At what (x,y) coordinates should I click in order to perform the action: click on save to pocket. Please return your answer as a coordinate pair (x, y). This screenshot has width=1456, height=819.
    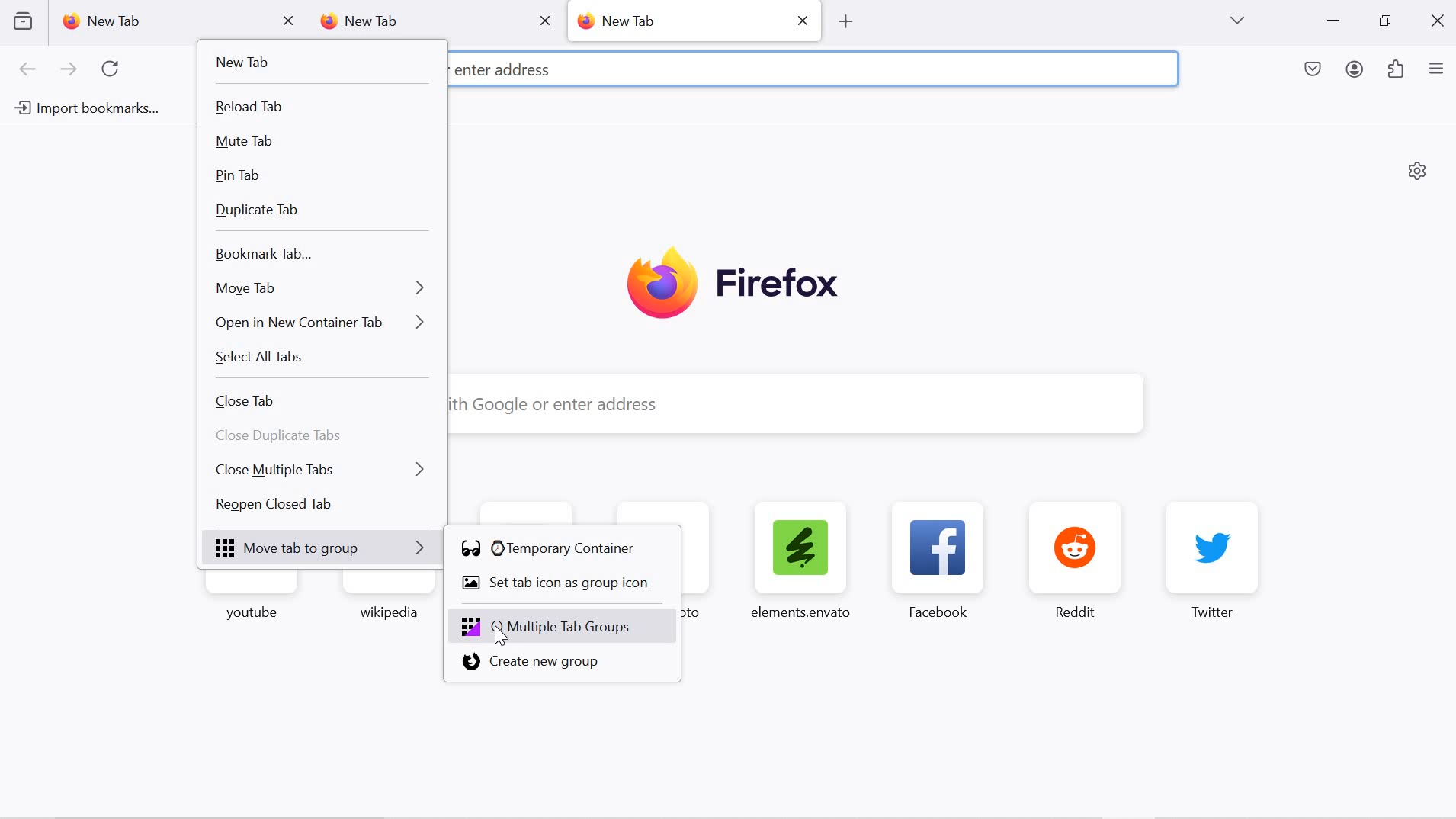
    Looking at the image, I should click on (1314, 71).